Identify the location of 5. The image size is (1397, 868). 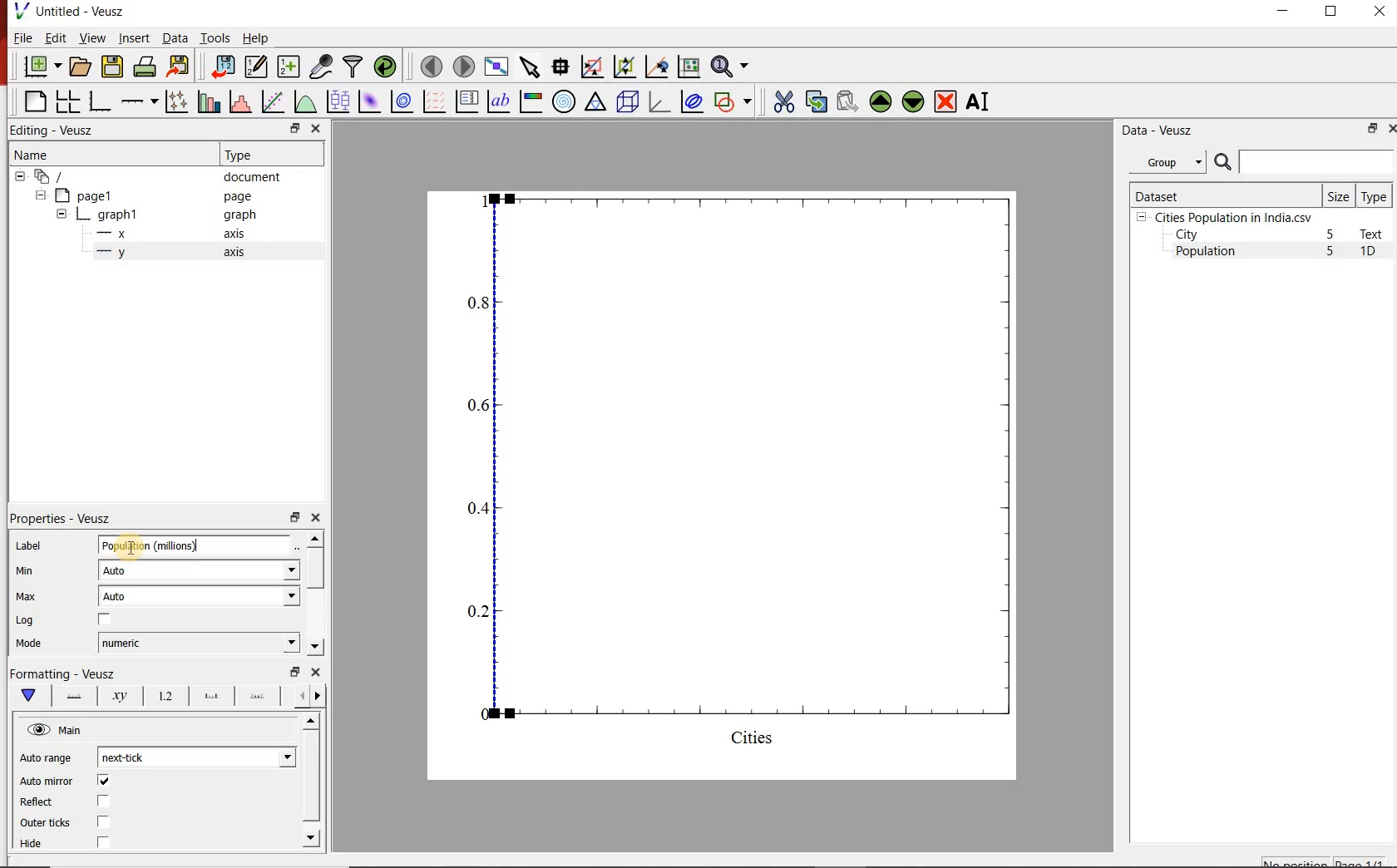
(1331, 235).